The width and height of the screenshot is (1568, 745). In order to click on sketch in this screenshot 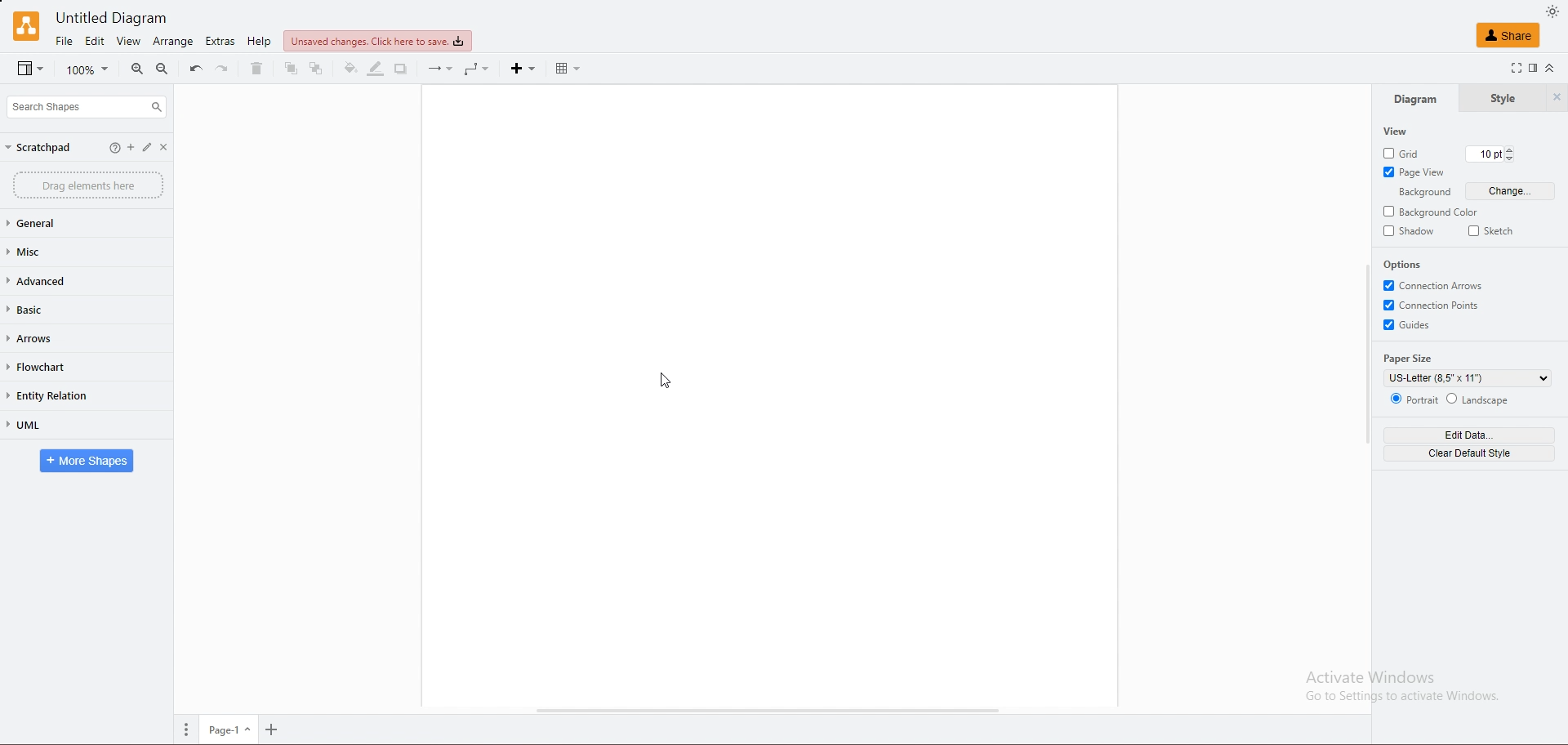, I will do `click(1491, 230)`.